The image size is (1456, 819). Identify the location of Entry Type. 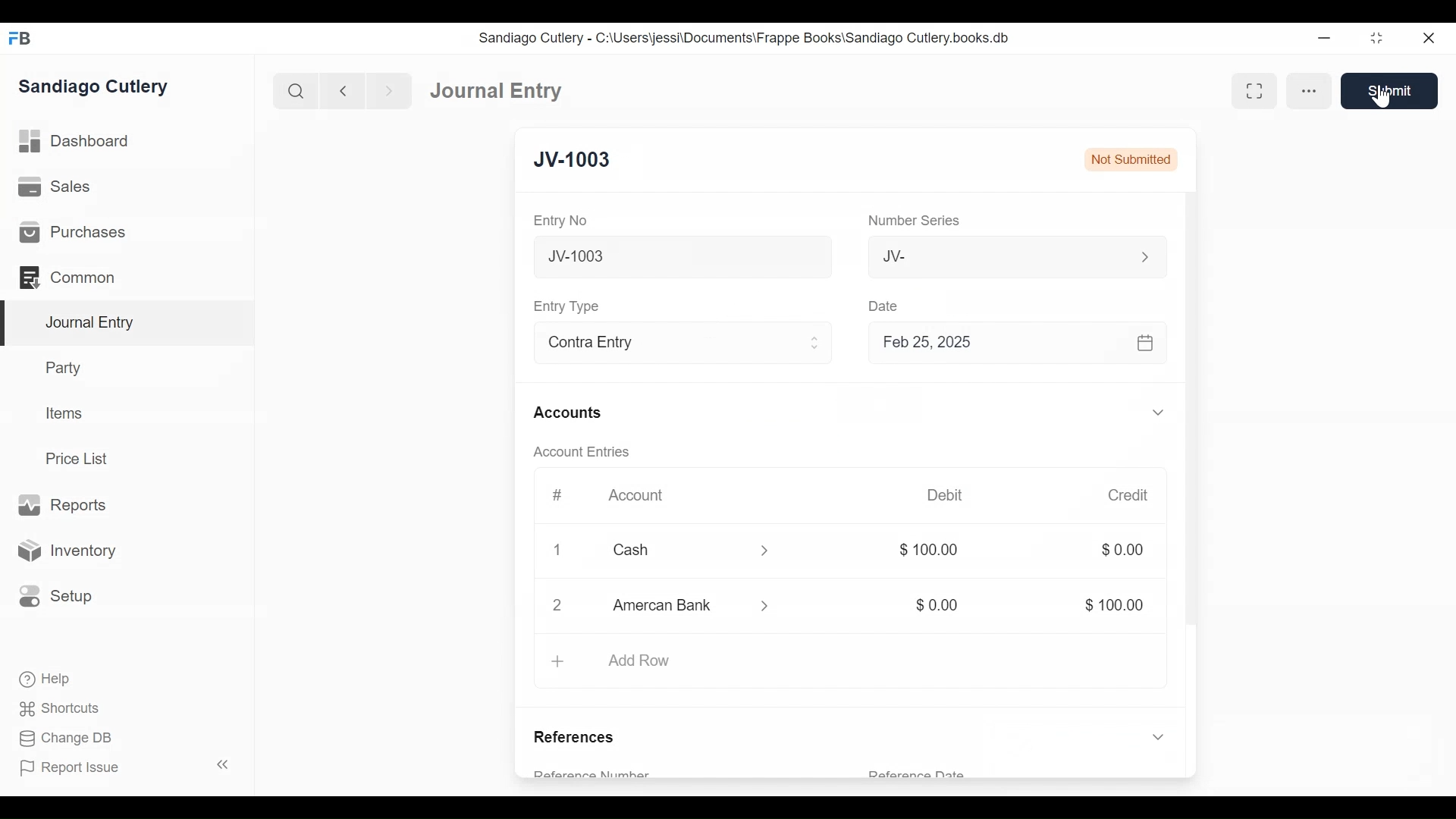
(571, 306).